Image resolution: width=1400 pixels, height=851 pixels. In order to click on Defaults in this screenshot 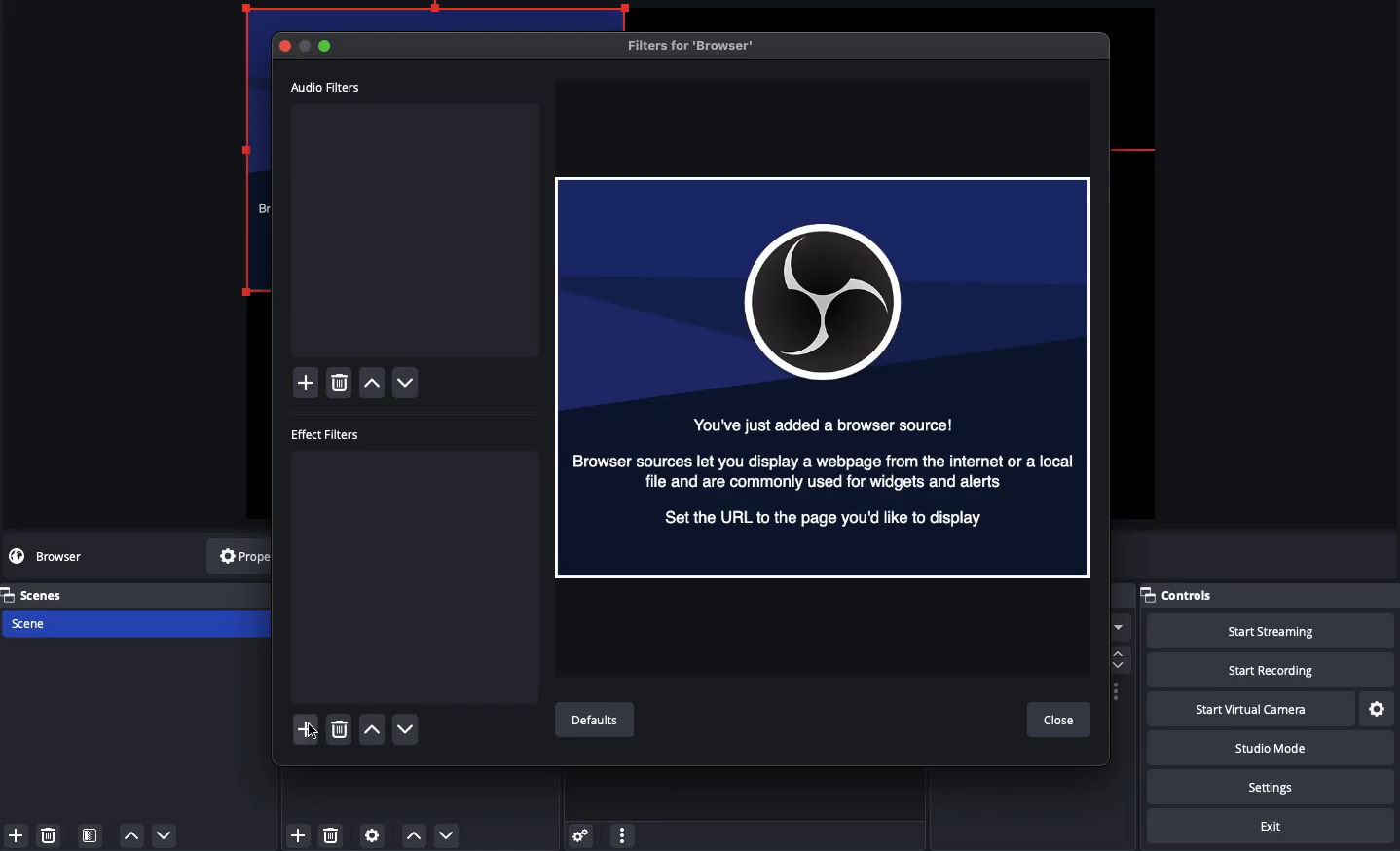, I will do `click(600, 721)`.